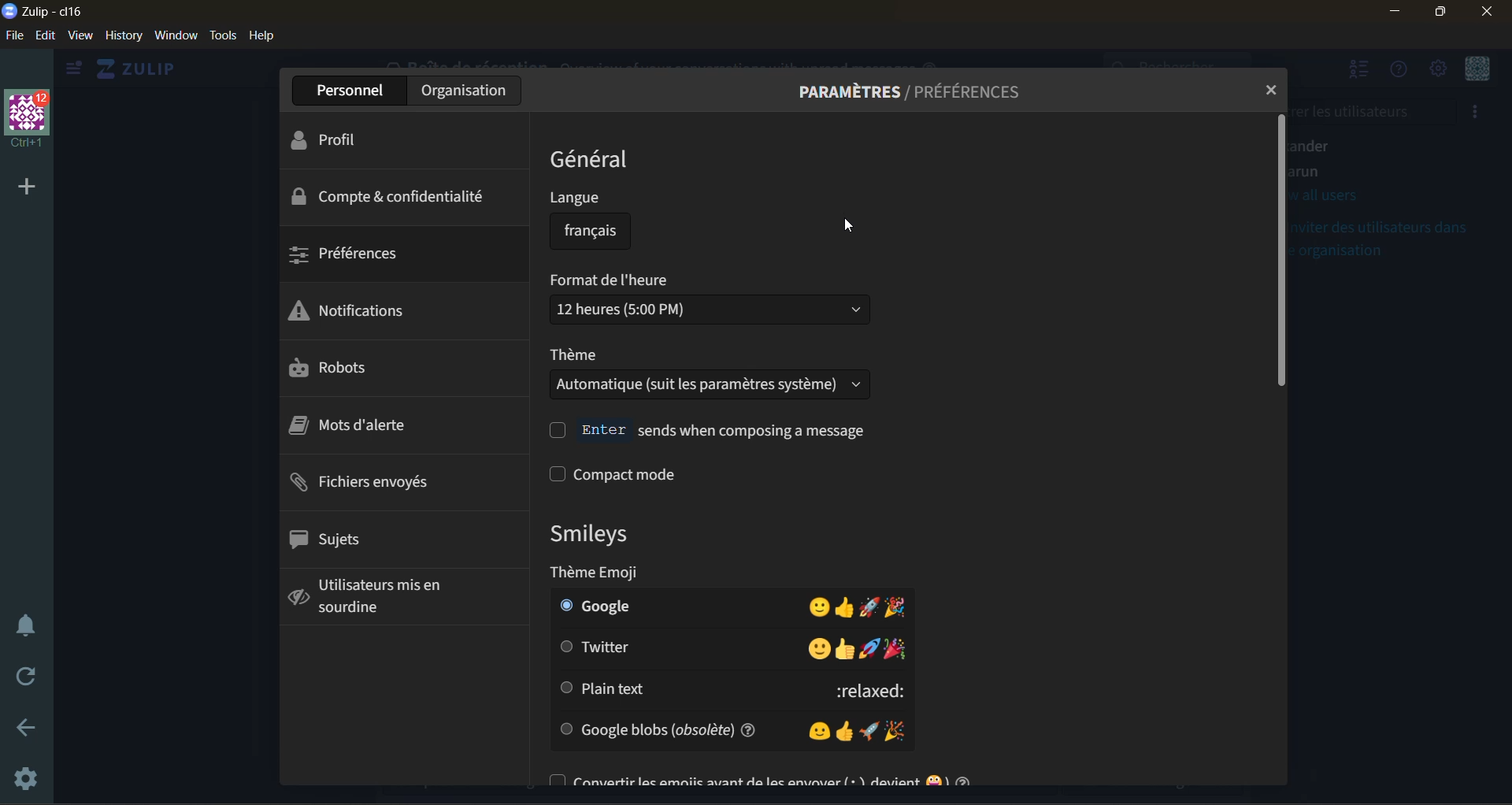 The height and width of the screenshot is (805, 1512). What do you see at coordinates (719, 689) in the screenshot?
I see `plain text` at bounding box center [719, 689].